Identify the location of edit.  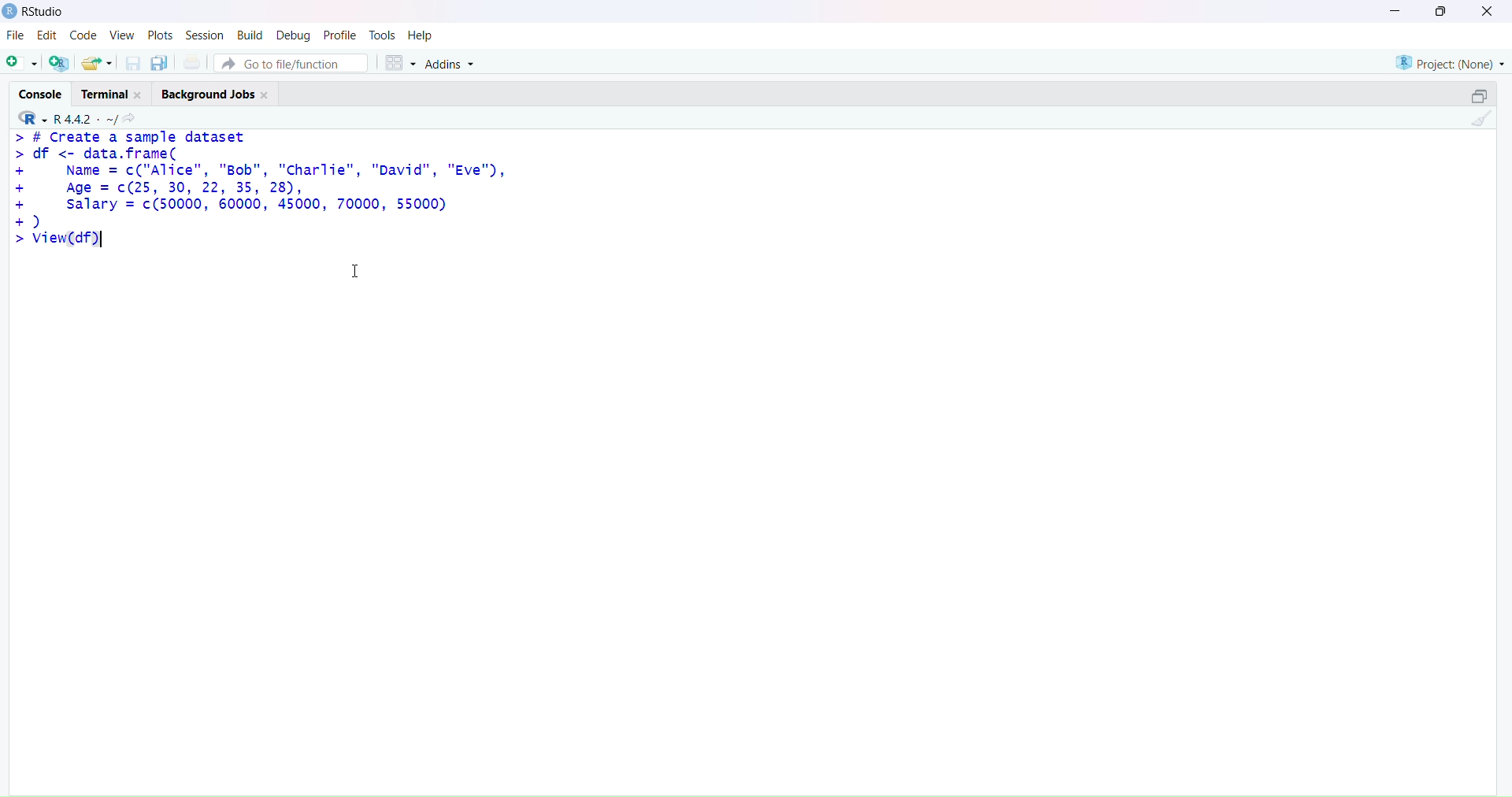
(50, 35).